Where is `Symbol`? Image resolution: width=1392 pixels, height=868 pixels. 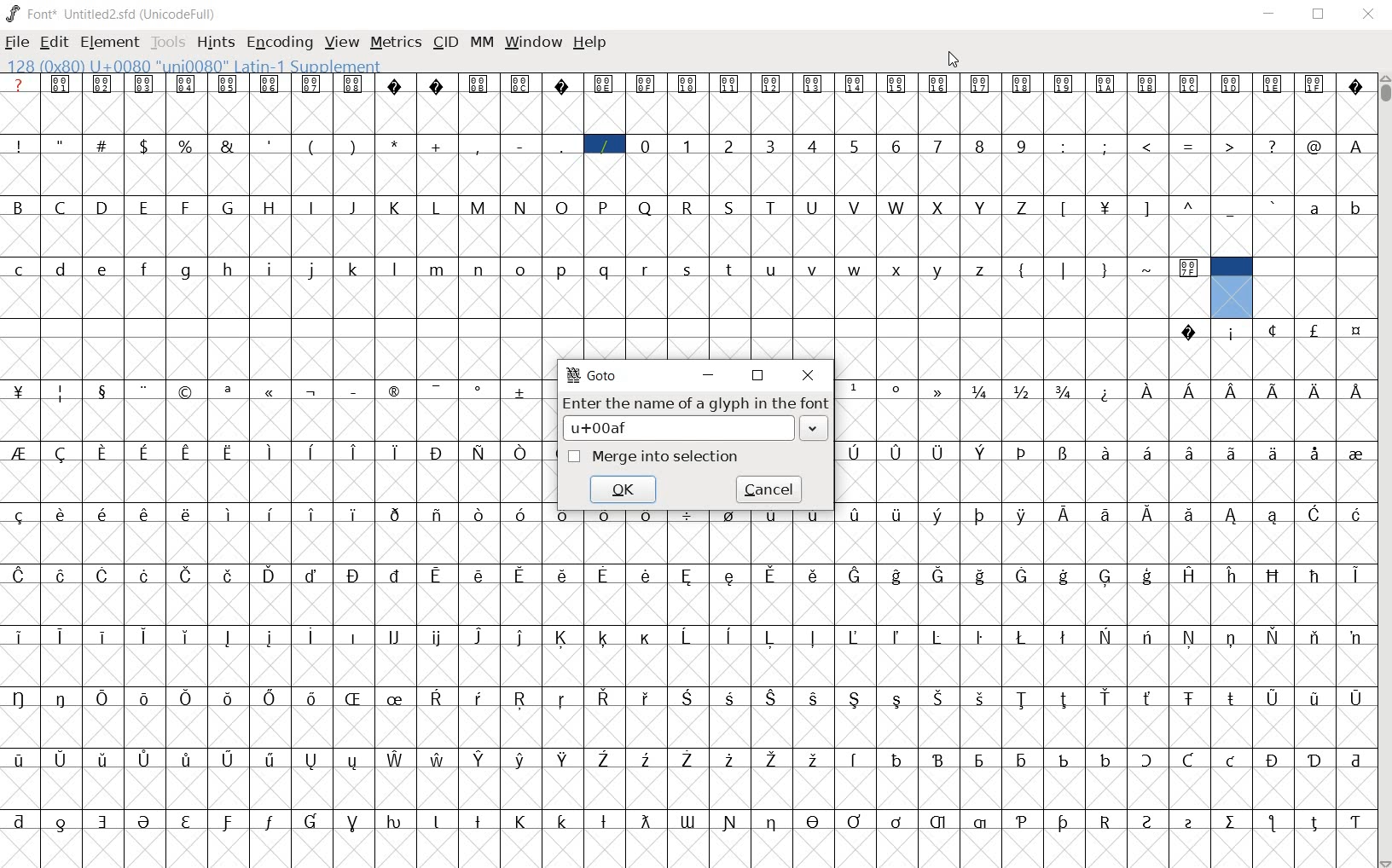 Symbol is located at coordinates (520, 574).